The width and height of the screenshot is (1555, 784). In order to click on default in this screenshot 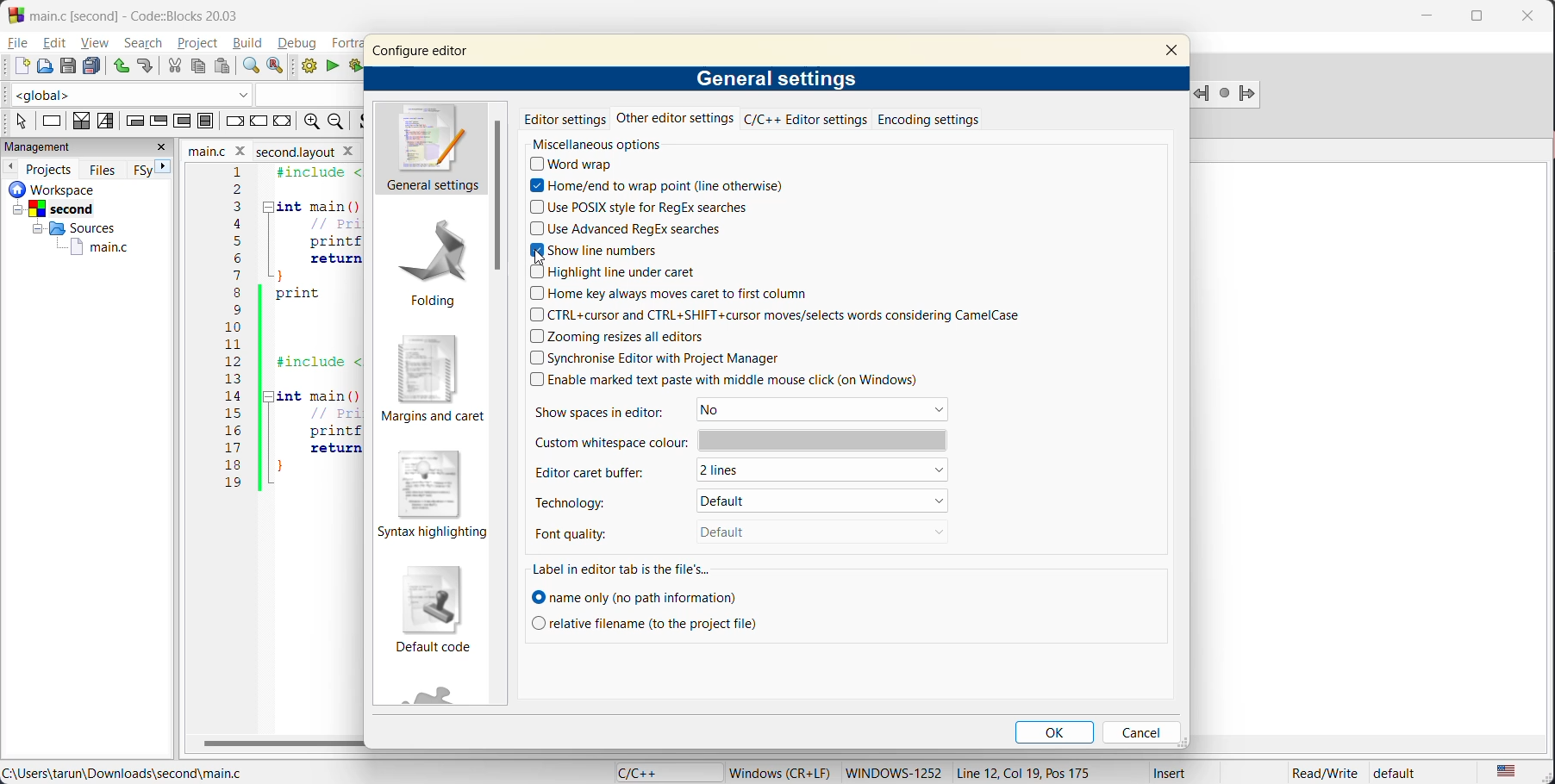, I will do `click(1405, 773)`.